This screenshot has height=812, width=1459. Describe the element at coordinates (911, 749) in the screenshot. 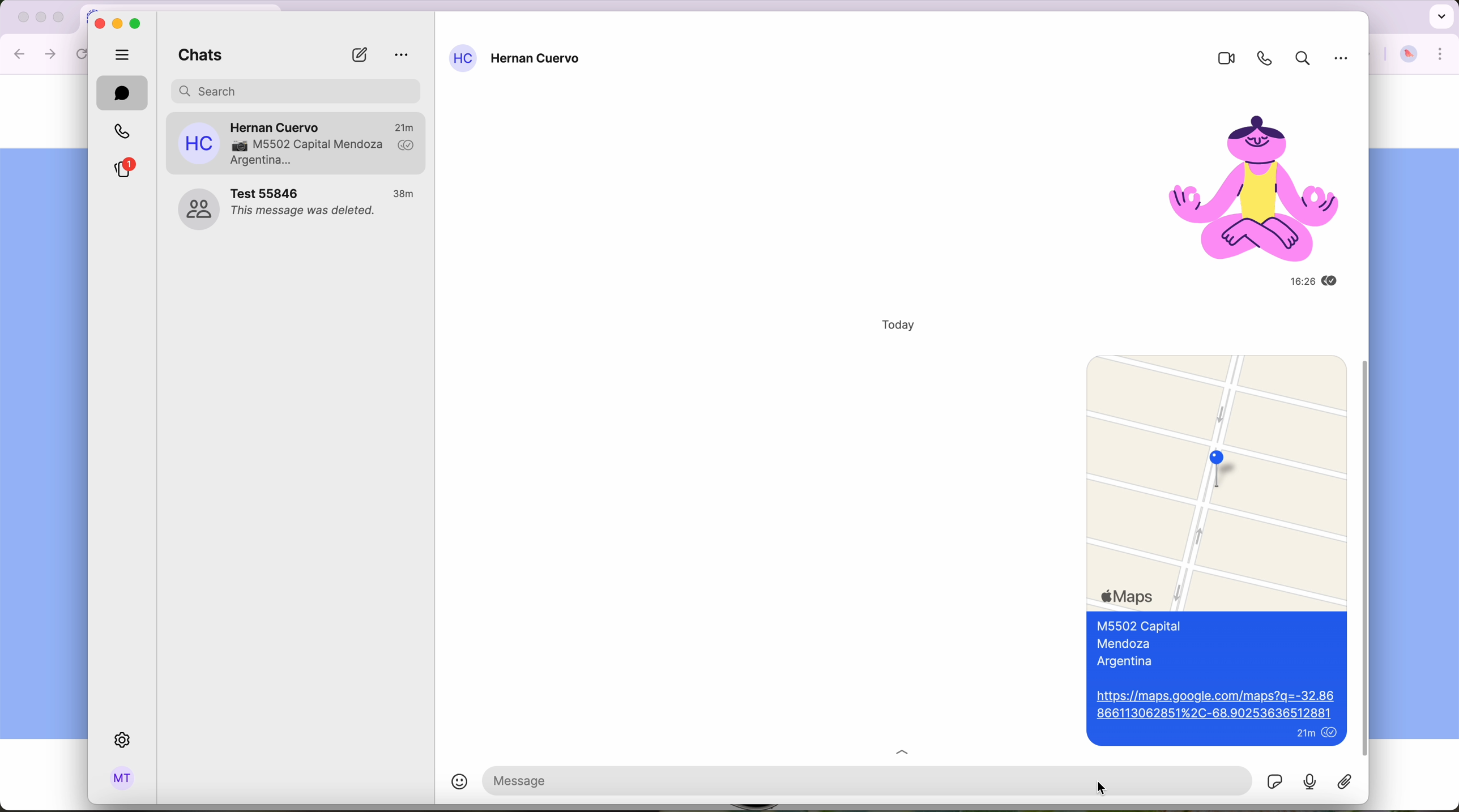

I see `up` at that location.